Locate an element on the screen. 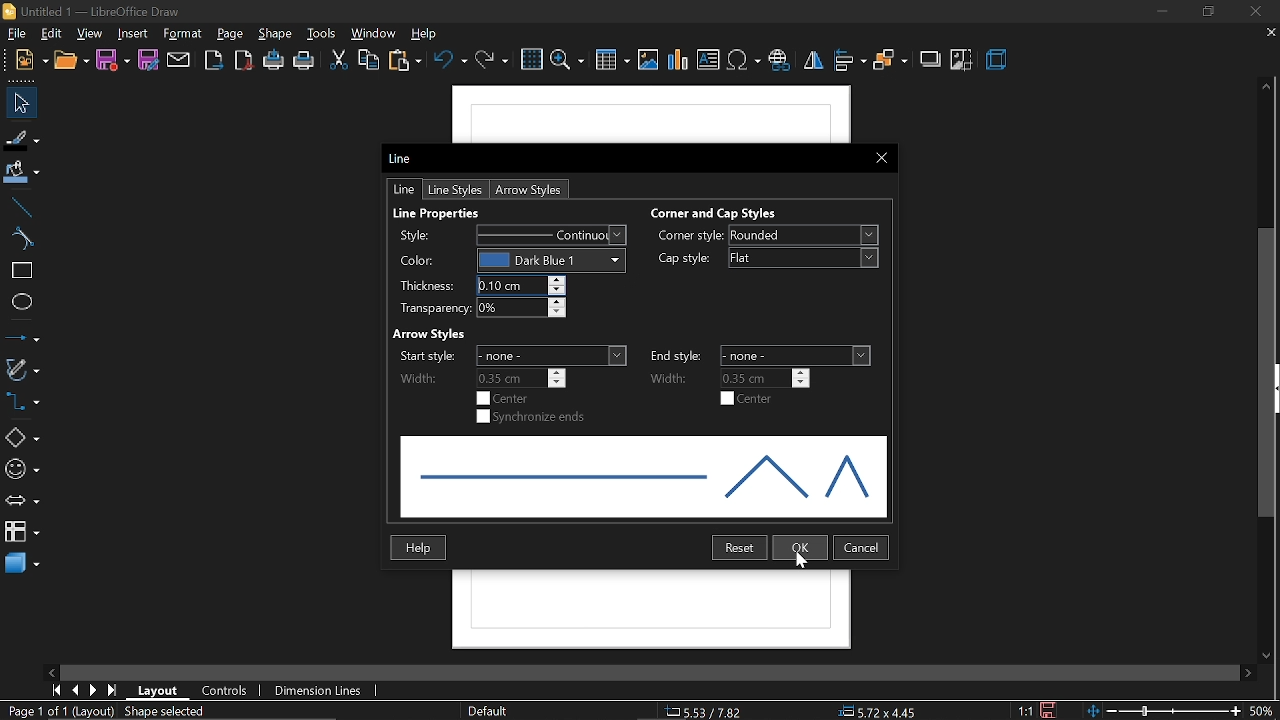 Image resolution: width=1280 pixels, height=720 pixels. dimension lines is located at coordinates (319, 692).